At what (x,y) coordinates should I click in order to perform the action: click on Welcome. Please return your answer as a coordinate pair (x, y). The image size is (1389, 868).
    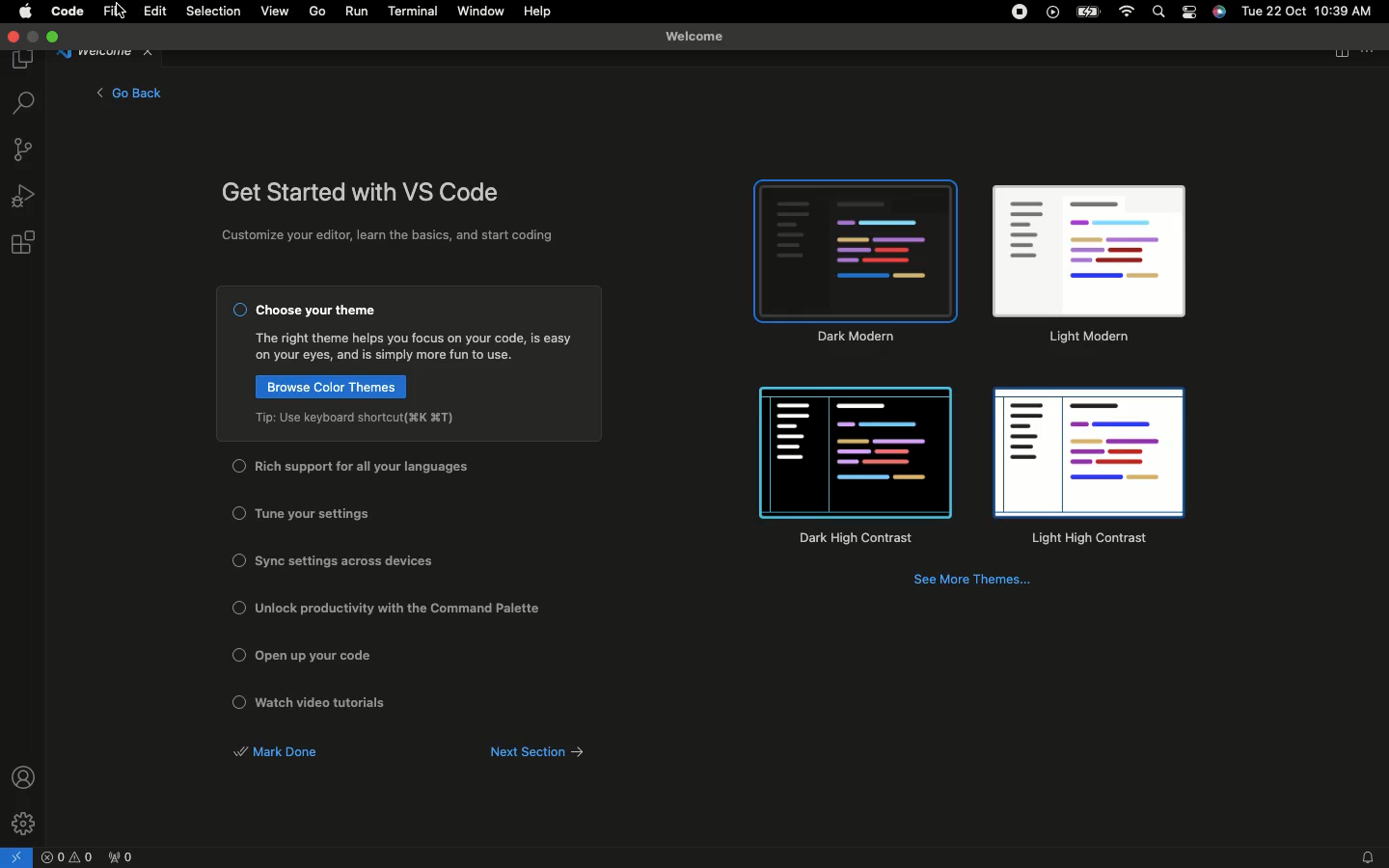
    Looking at the image, I should click on (700, 32).